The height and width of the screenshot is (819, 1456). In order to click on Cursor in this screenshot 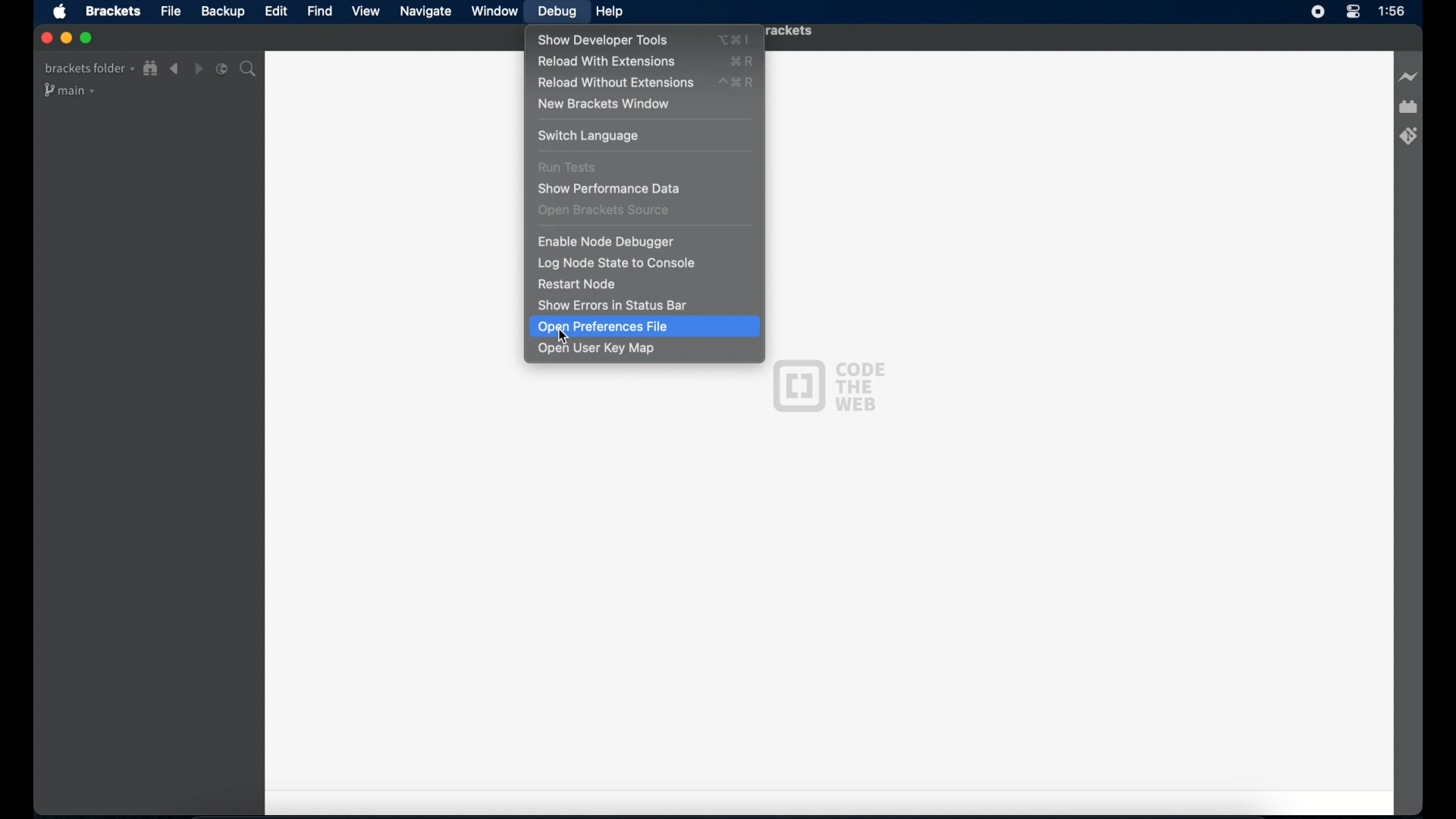, I will do `click(566, 337)`.